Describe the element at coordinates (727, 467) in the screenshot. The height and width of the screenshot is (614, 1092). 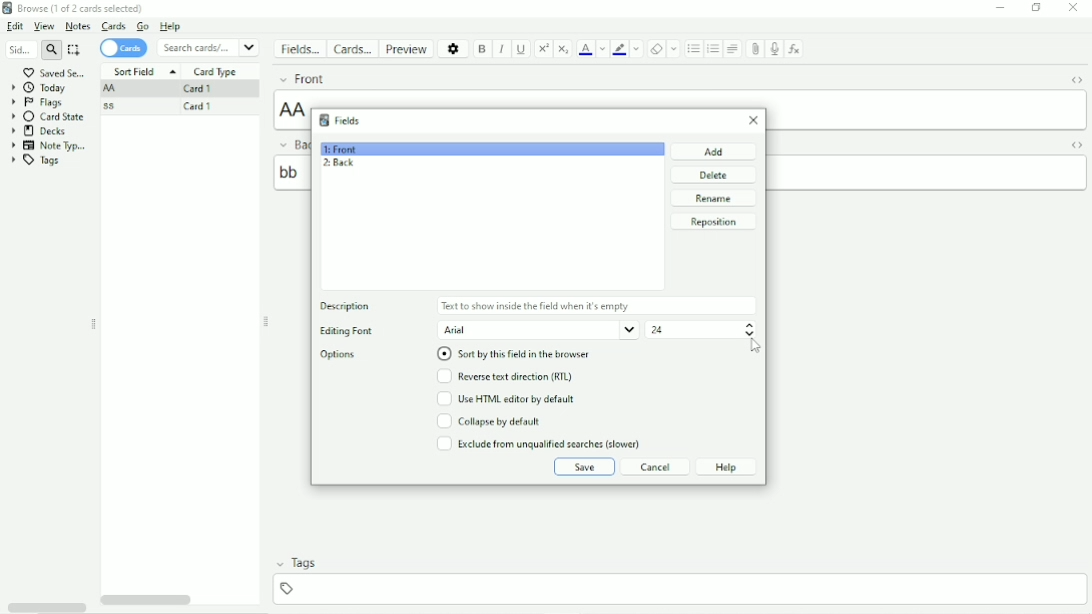
I see `Help` at that location.